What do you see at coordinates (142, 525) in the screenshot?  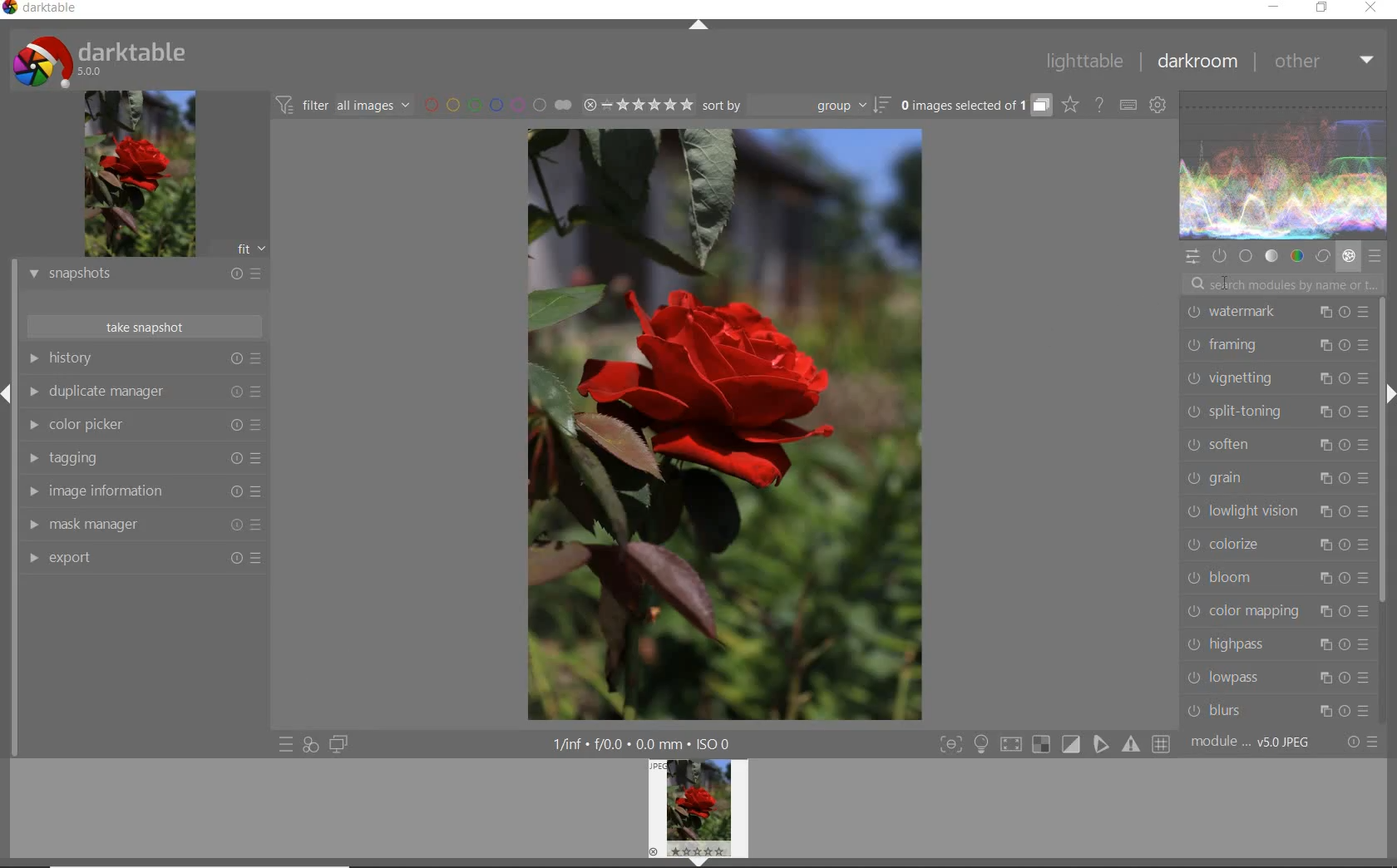 I see `mask manager` at bounding box center [142, 525].